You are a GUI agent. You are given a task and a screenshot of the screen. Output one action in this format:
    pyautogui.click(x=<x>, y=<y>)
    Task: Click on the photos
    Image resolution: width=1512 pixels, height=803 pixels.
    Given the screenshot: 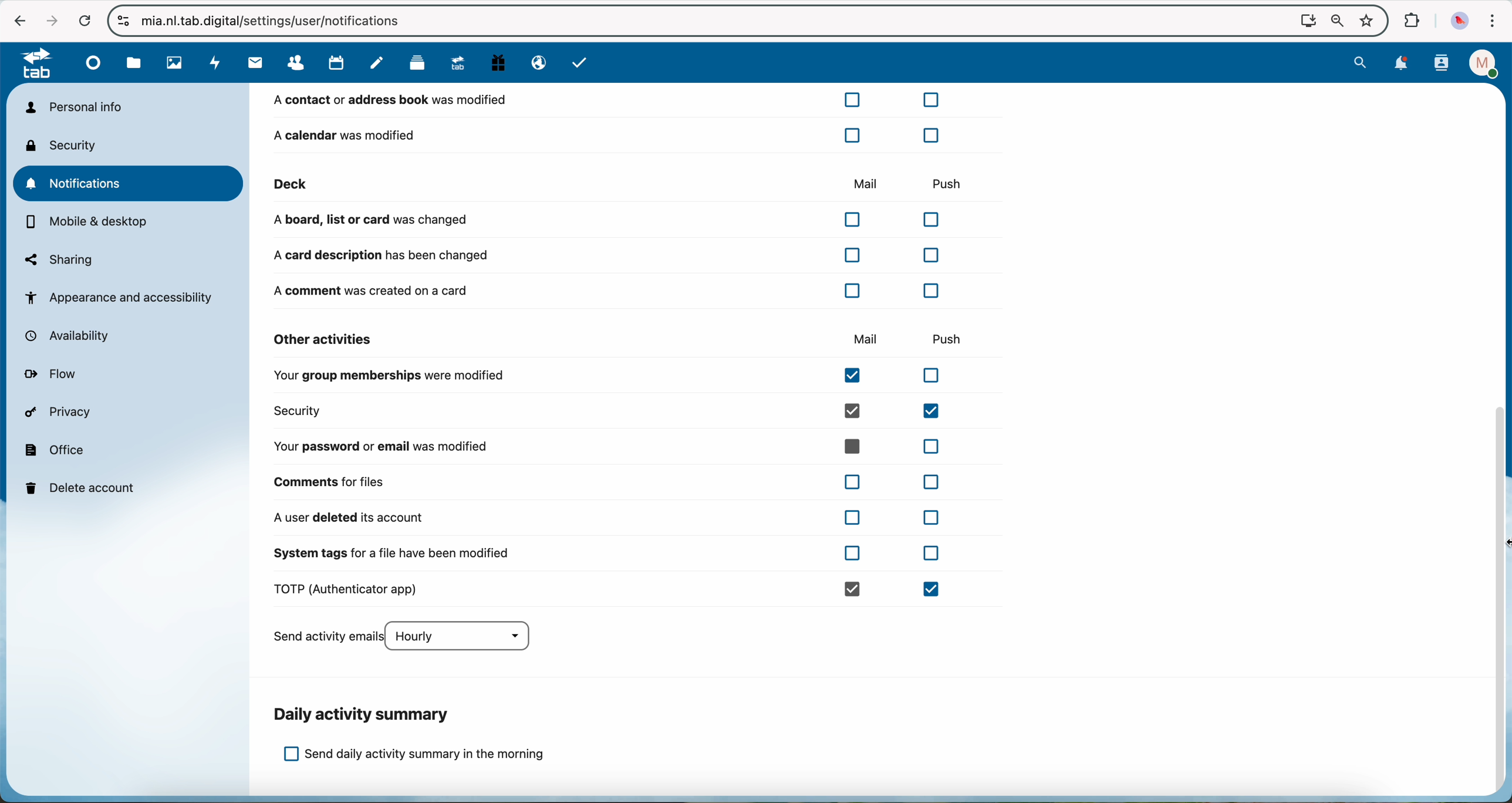 What is the action you would take?
    pyautogui.click(x=173, y=63)
    